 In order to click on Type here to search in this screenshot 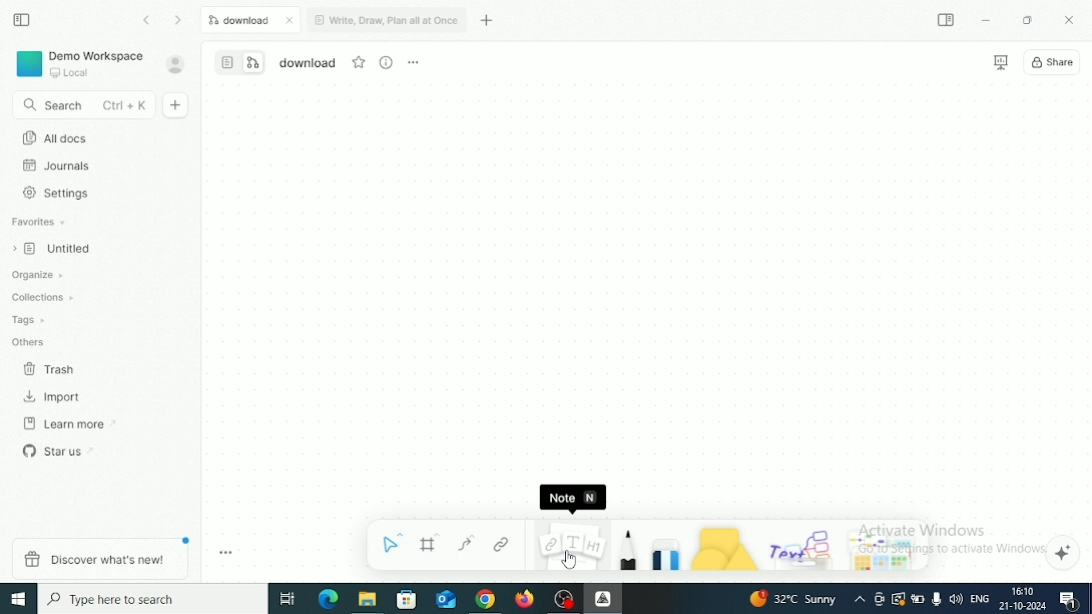, I will do `click(152, 599)`.